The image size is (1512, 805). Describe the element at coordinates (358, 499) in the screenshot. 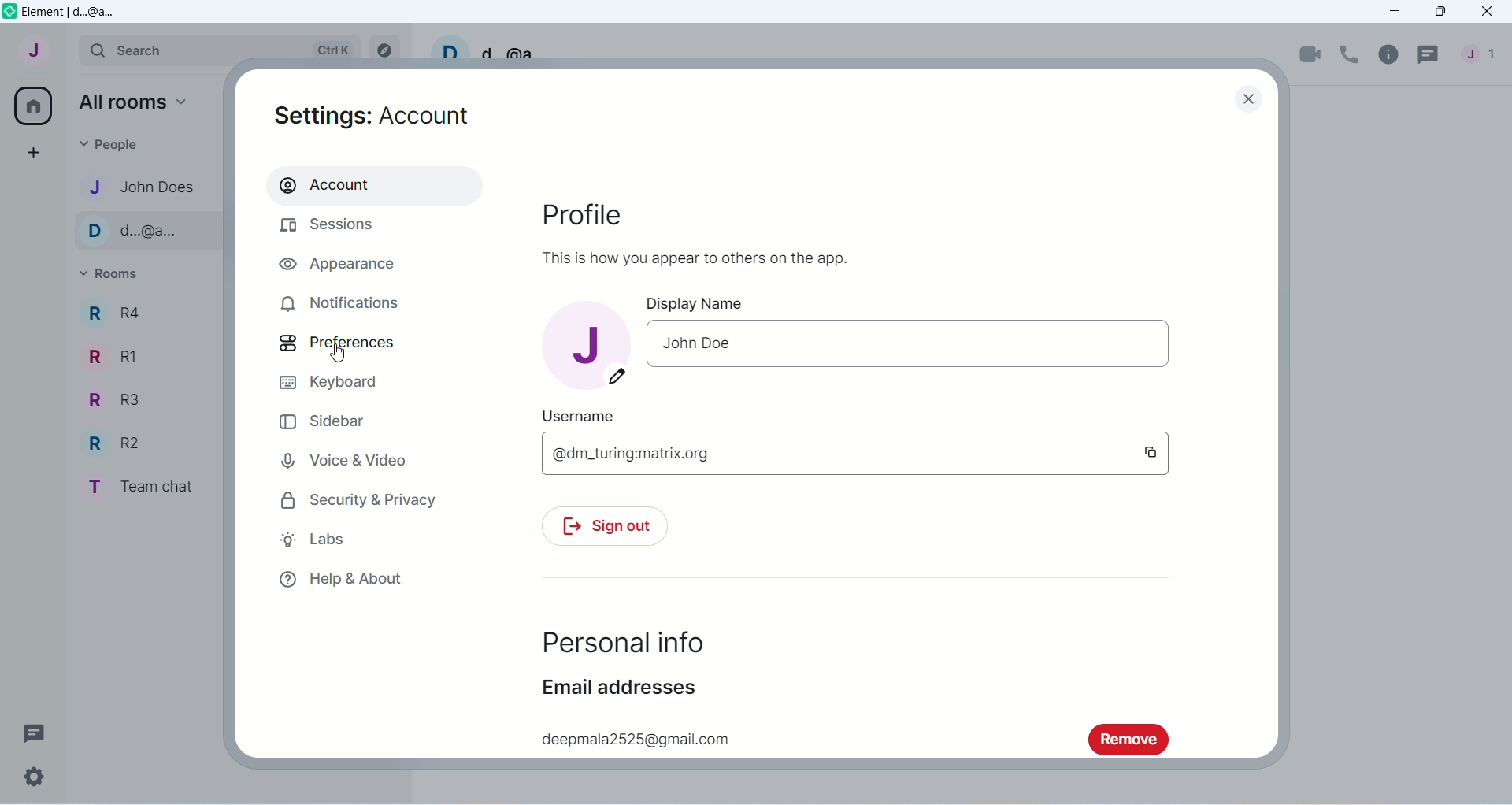

I see `Security and Privacy` at that location.